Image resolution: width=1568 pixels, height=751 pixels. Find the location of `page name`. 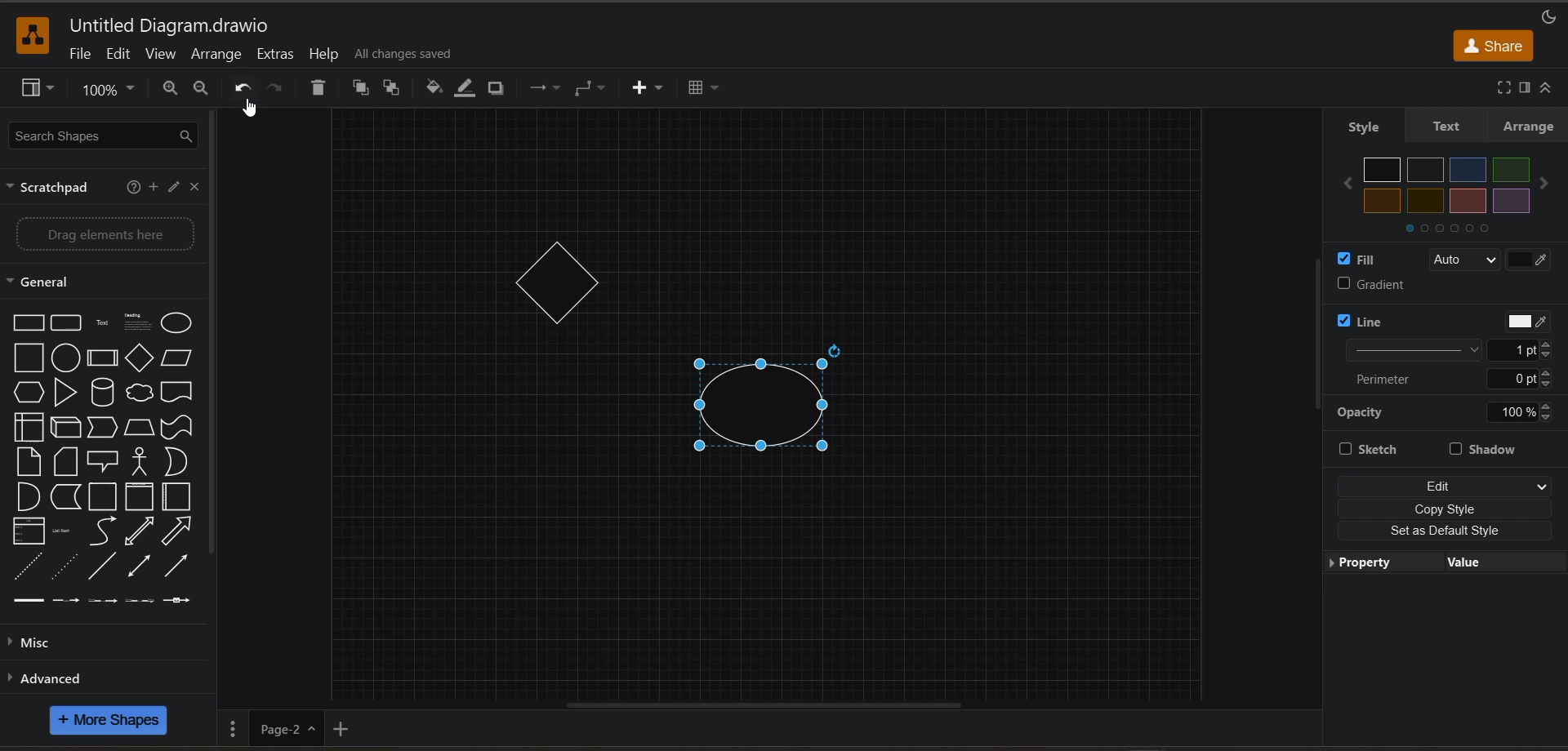

page name is located at coordinates (287, 728).